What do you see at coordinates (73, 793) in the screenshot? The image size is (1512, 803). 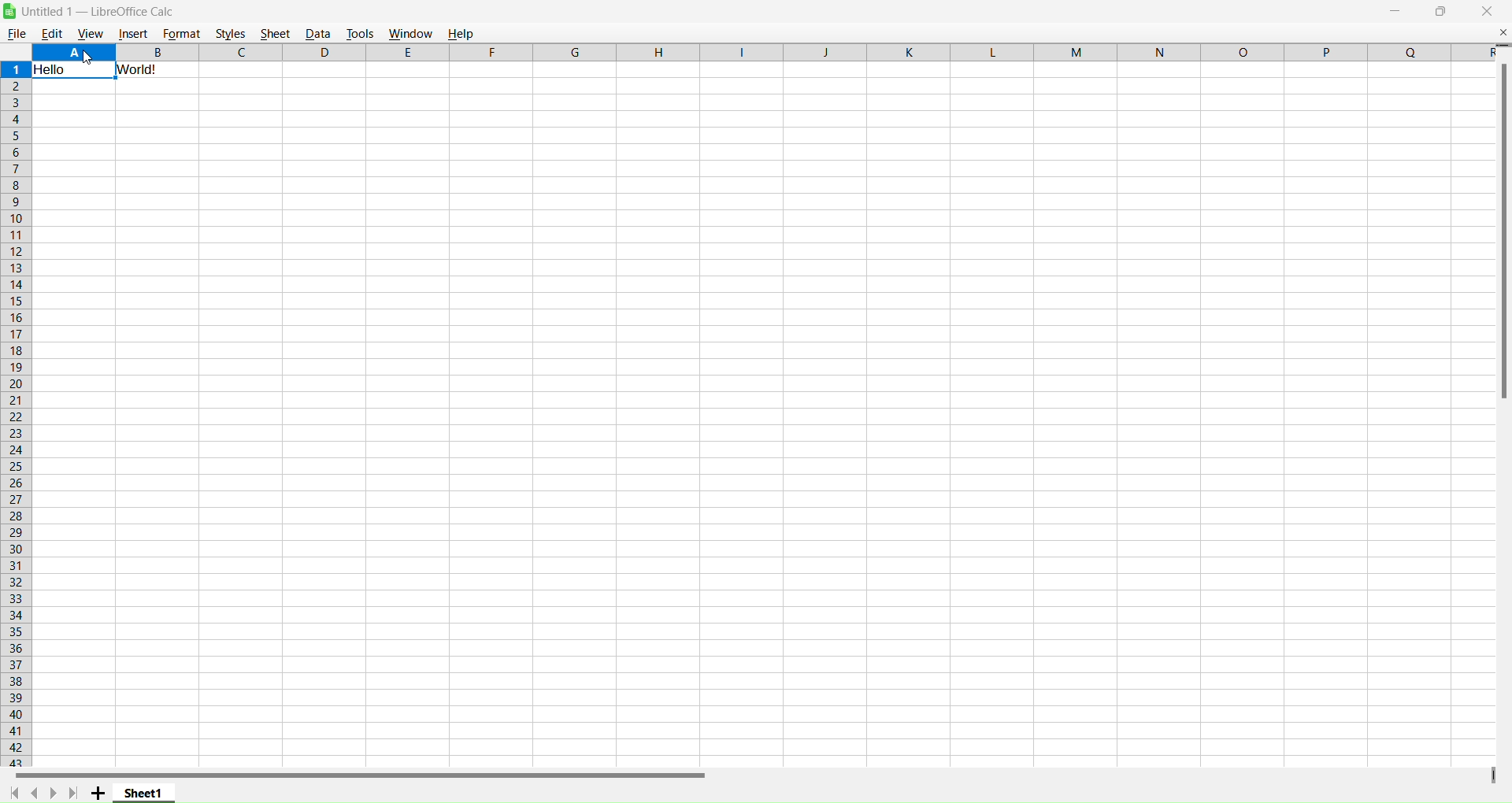 I see `Last Slide` at bounding box center [73, 793].